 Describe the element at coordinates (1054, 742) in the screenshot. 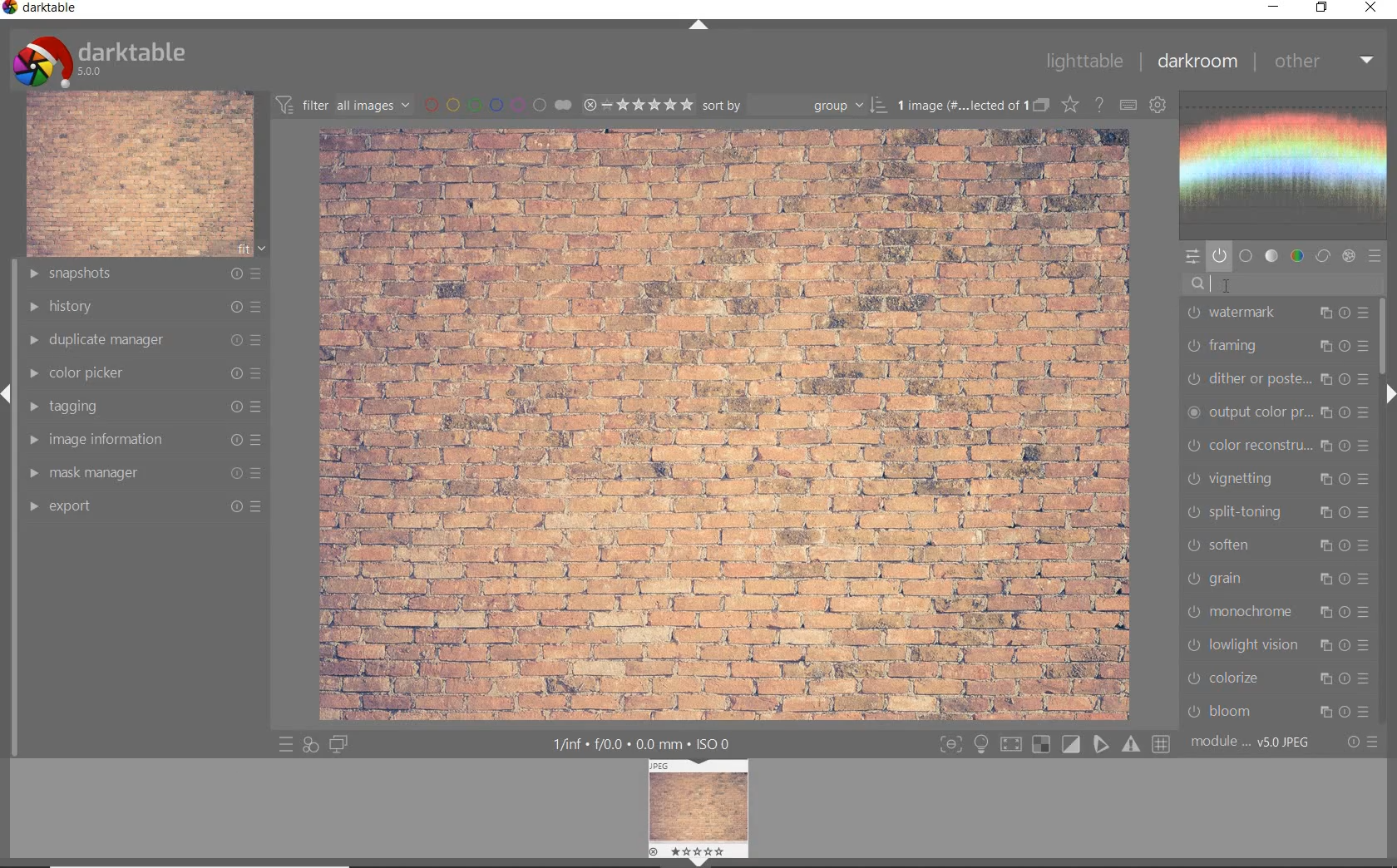

I see `toggle modes` at that location.